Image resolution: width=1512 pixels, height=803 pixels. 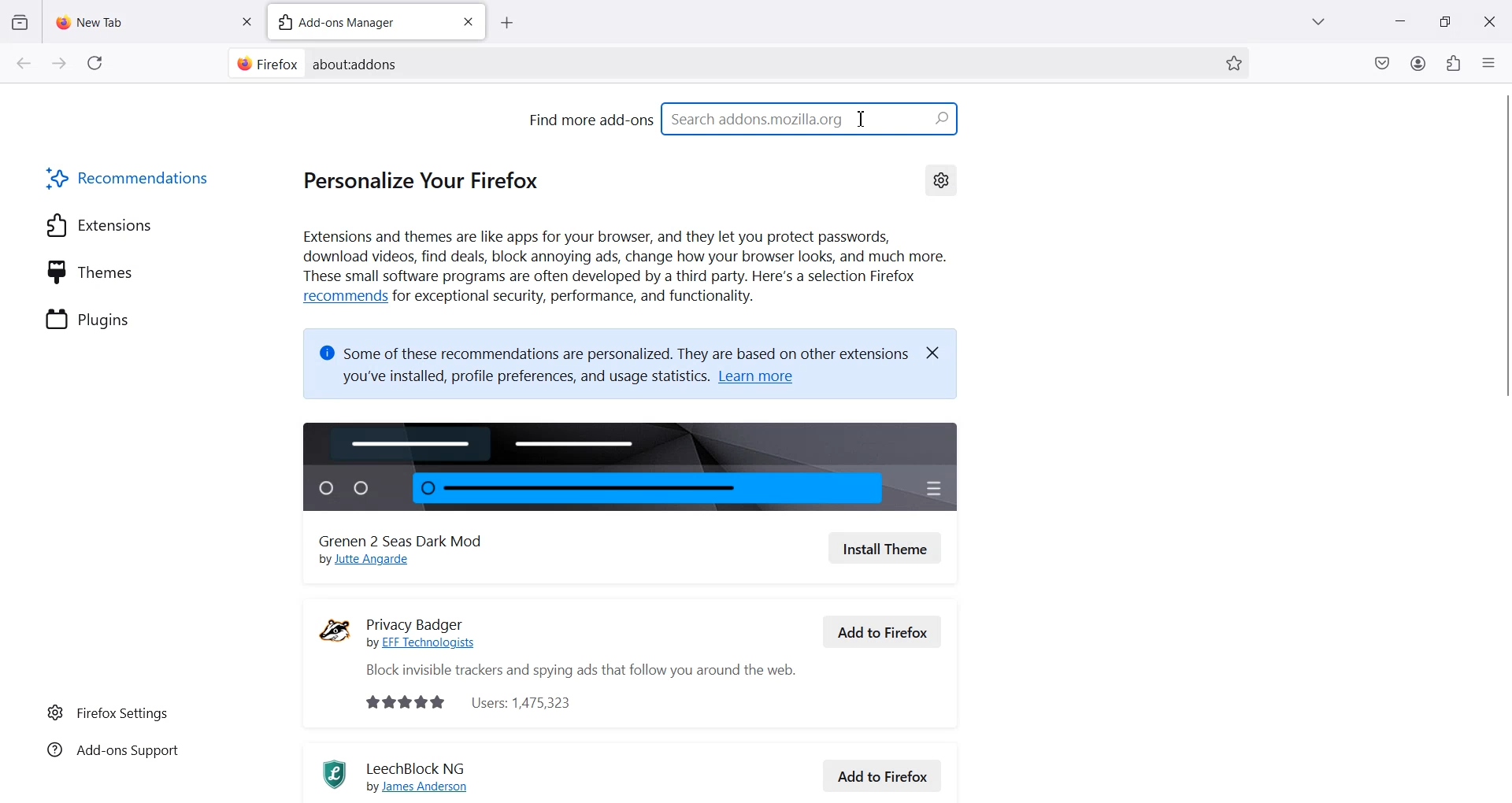 What do you see at coordinates (23, 62) in the screenshot?
I see `Go back to one page` at bounding box center [23, 62].